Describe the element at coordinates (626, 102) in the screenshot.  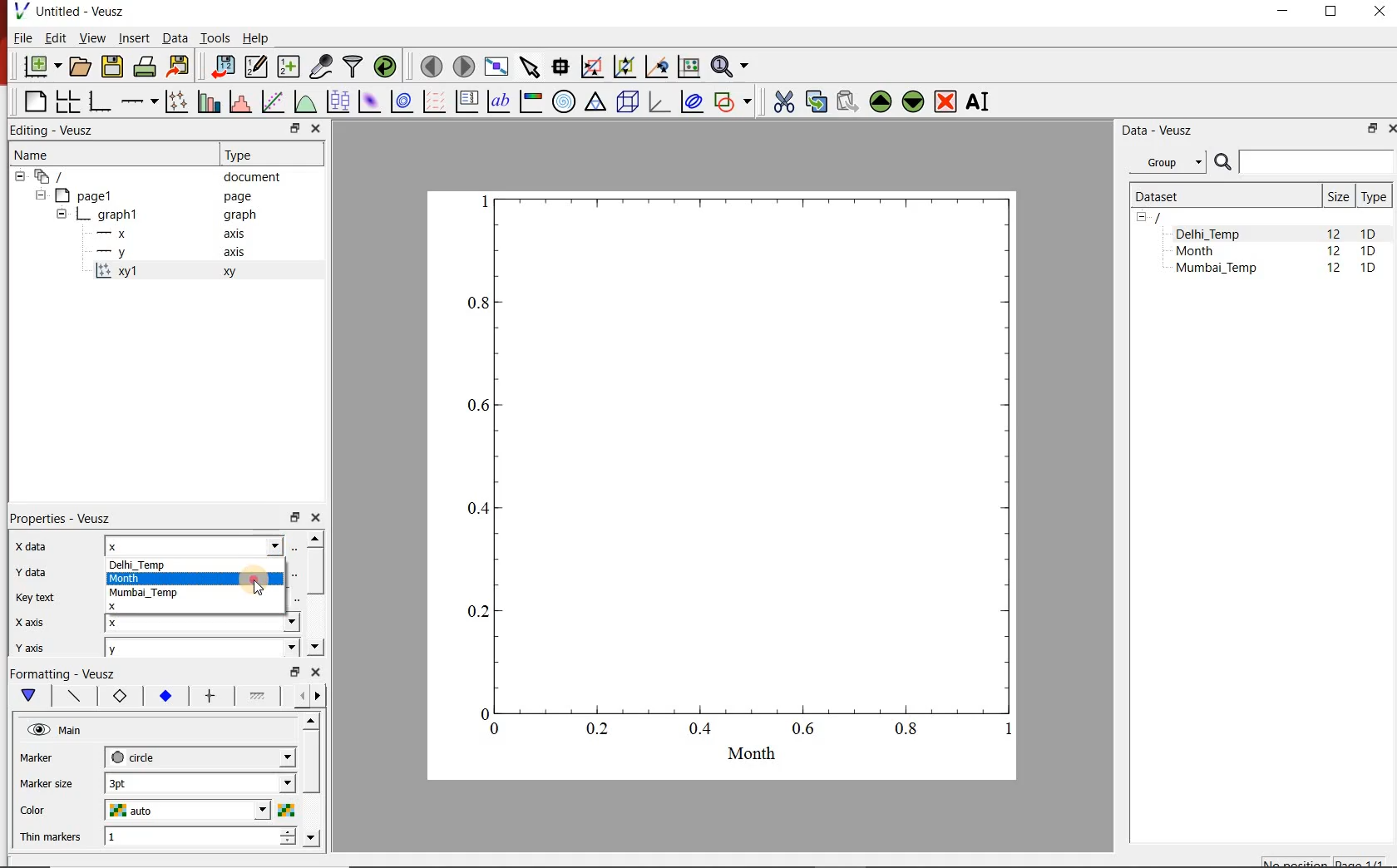
I see `3d scene` at that location.